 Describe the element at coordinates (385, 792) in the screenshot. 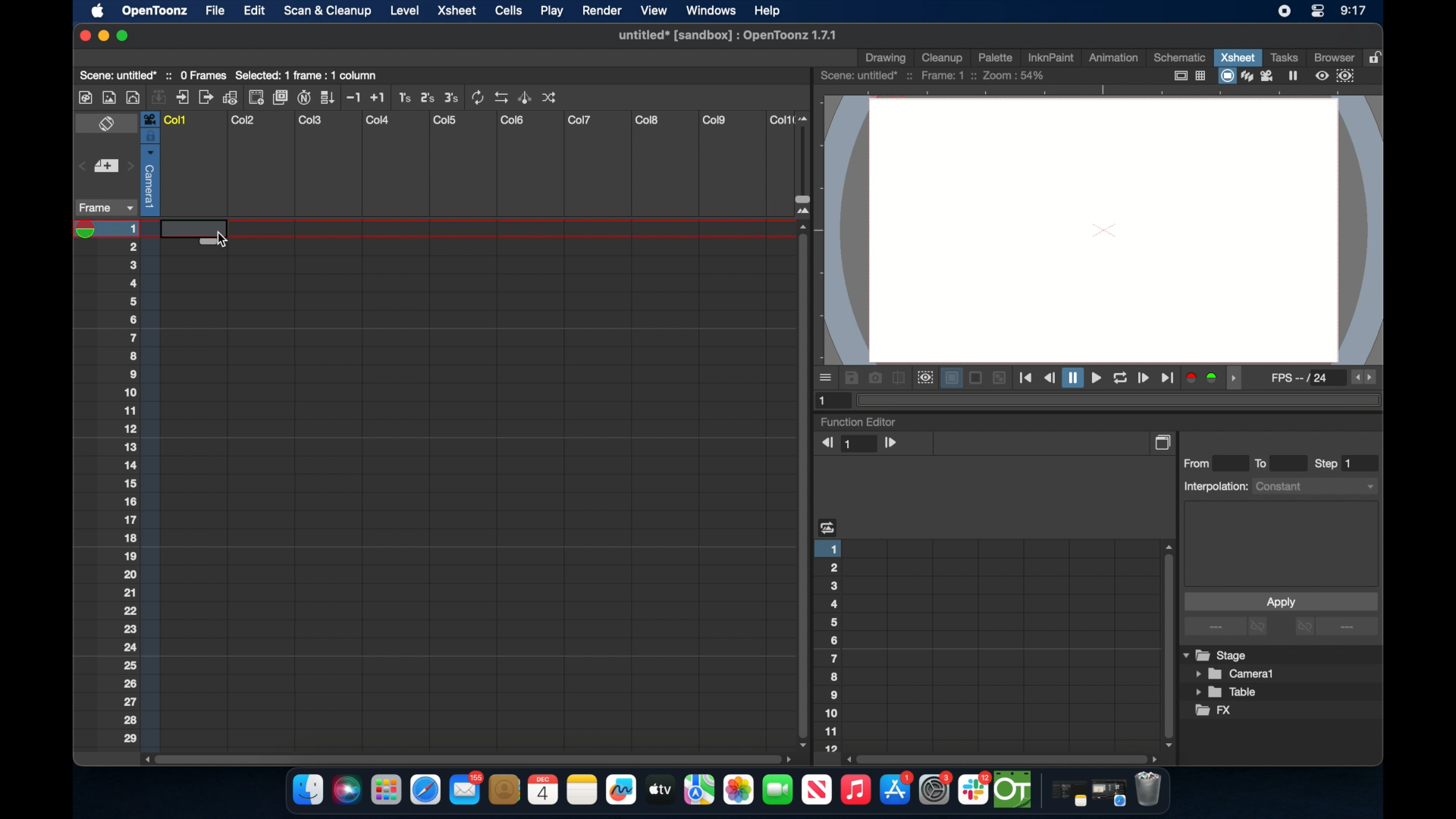

I see `launchpad` at that location.